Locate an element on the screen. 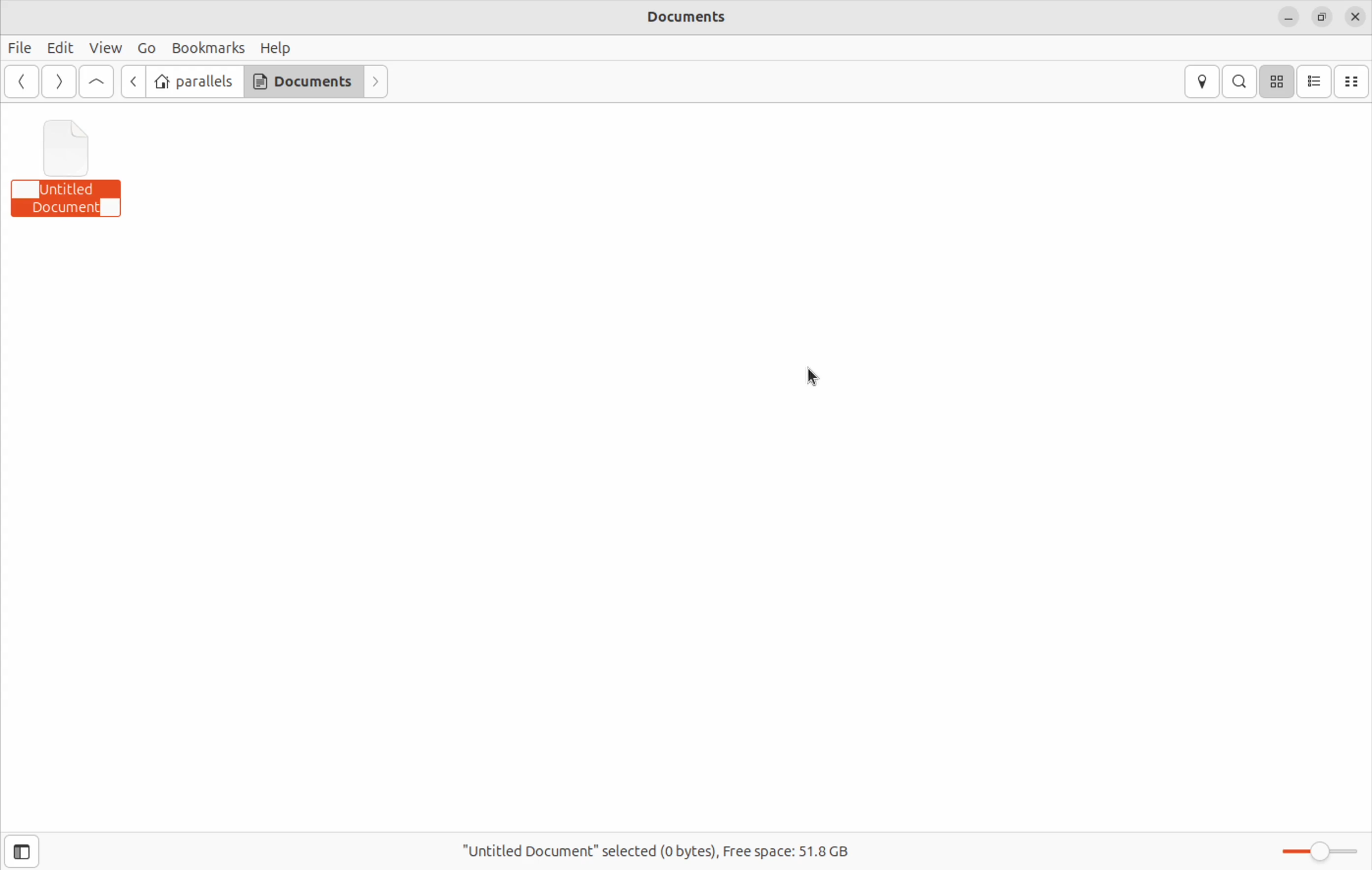 The height and width of the screenshot is (870, 1372). Zoom is located at coordinates (1317, 850).